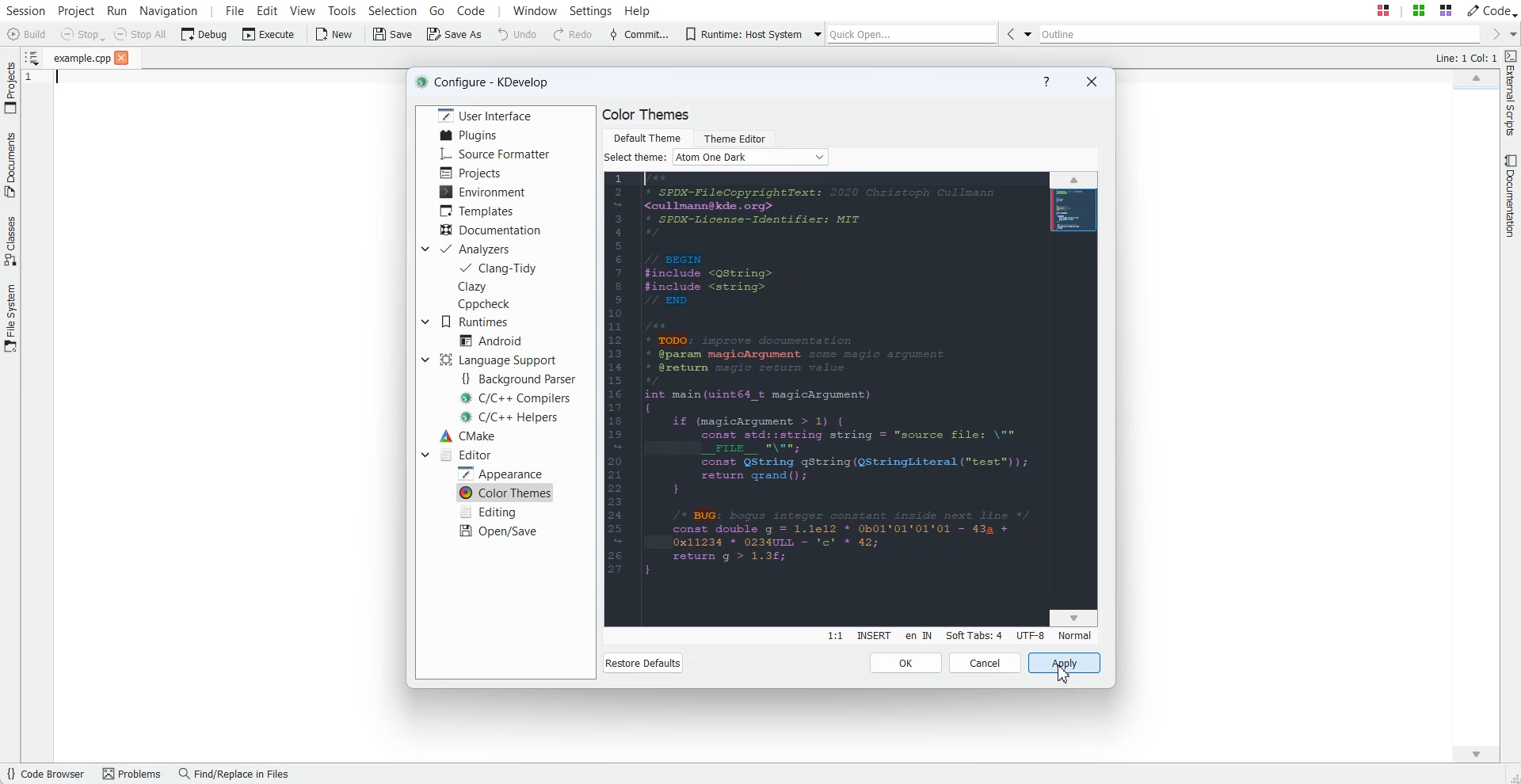 This screenshot has width=1521, height=784. I want to click on Go Forward, so click(1492, 35).